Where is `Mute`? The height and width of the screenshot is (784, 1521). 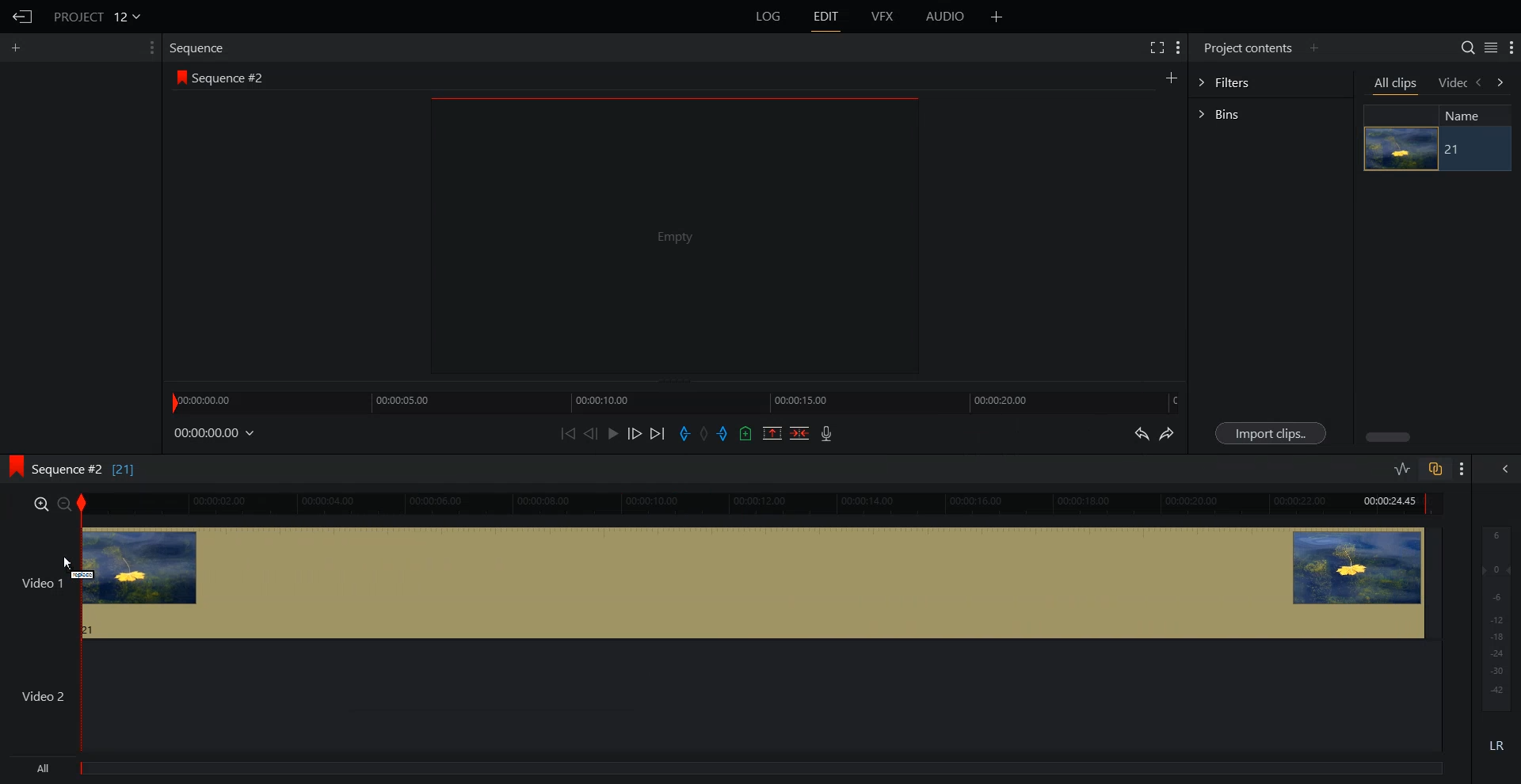 Mute is located at coordinates (1497, 745).